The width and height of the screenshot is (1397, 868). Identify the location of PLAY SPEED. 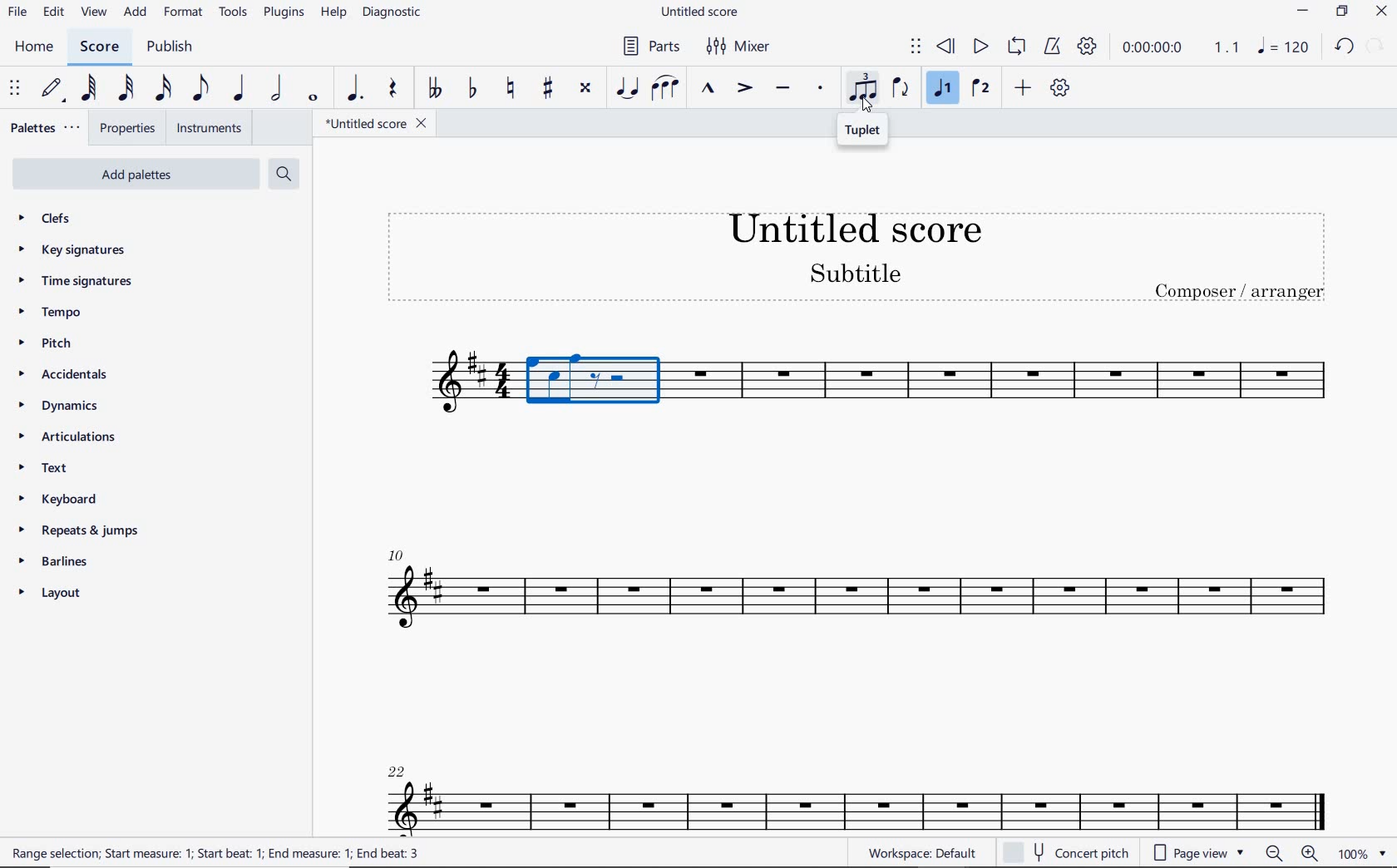
(1181, 49).